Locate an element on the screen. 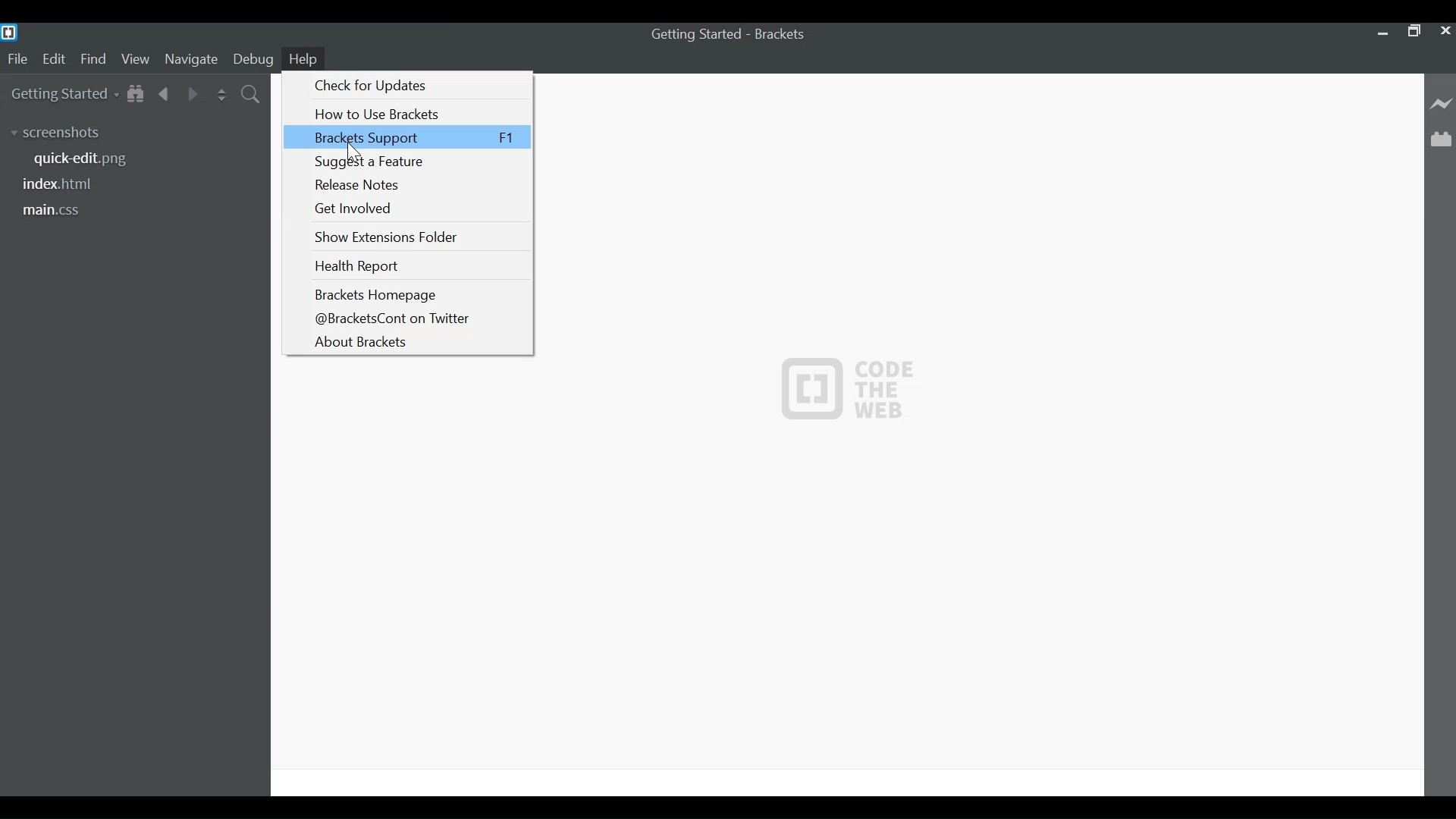  Split the Editor Vertically or Horizontally is located at coordinates (221, 93).